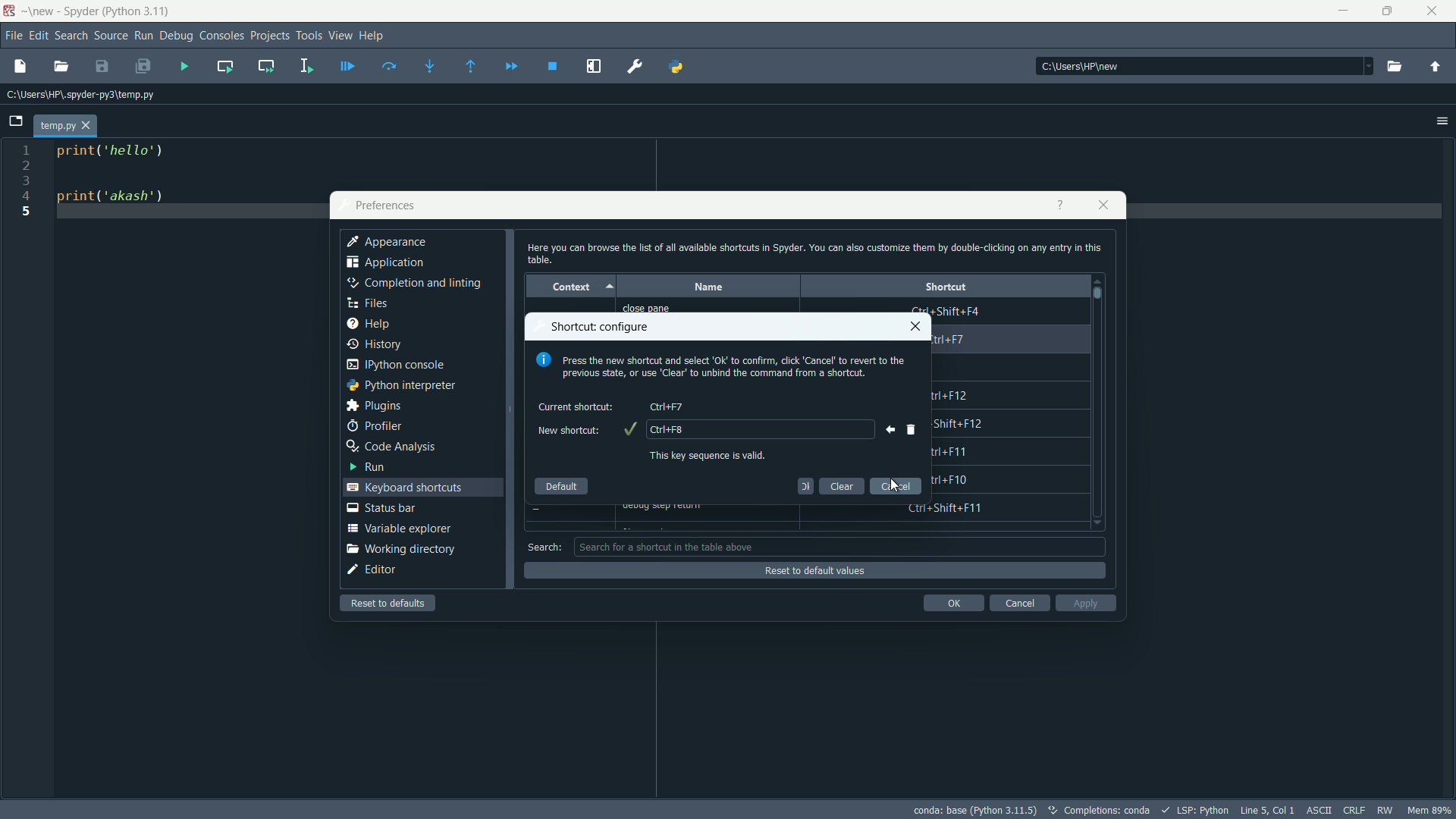 The height and width of the screenshot is (819, 1456). I want to click on view menu, so click(341, 35).